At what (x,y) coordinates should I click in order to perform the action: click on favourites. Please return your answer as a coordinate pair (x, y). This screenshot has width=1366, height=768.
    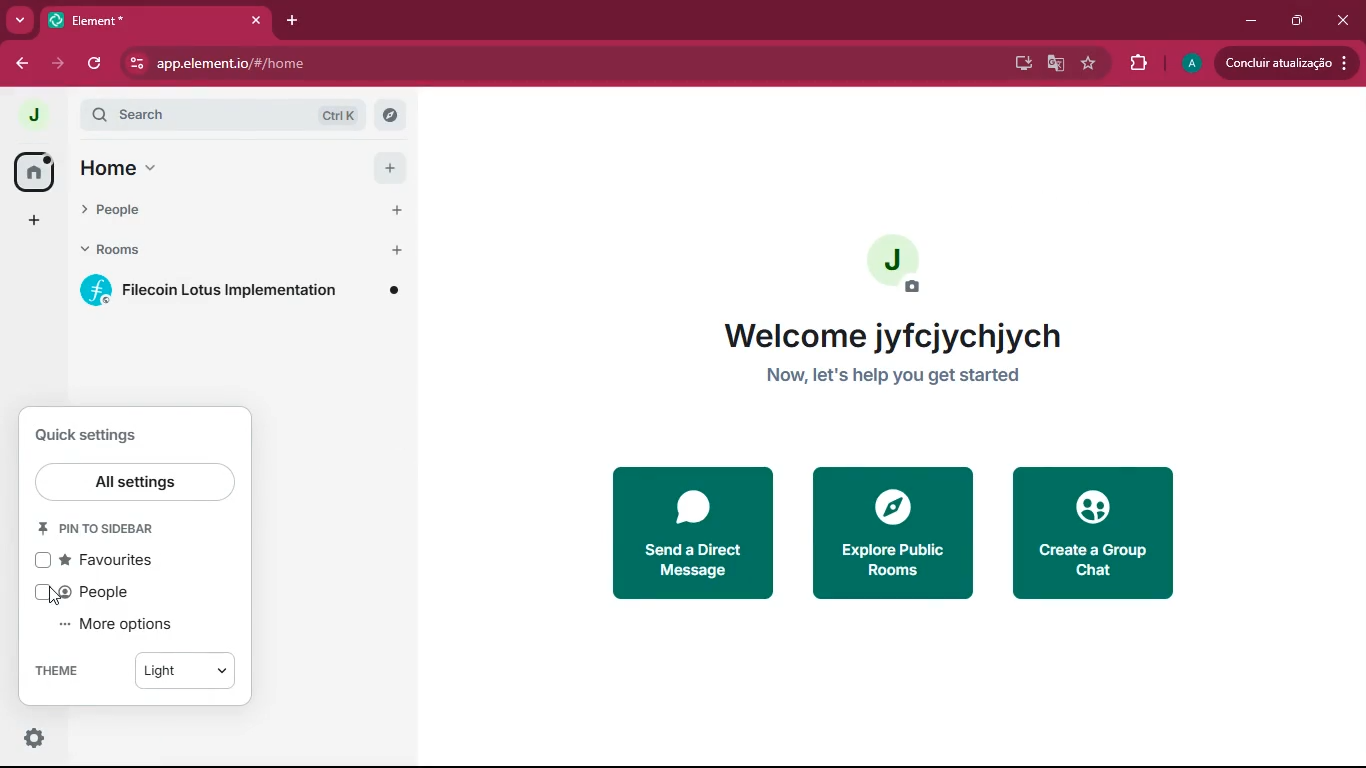
    Looking at the image, I should click on (107, 559).